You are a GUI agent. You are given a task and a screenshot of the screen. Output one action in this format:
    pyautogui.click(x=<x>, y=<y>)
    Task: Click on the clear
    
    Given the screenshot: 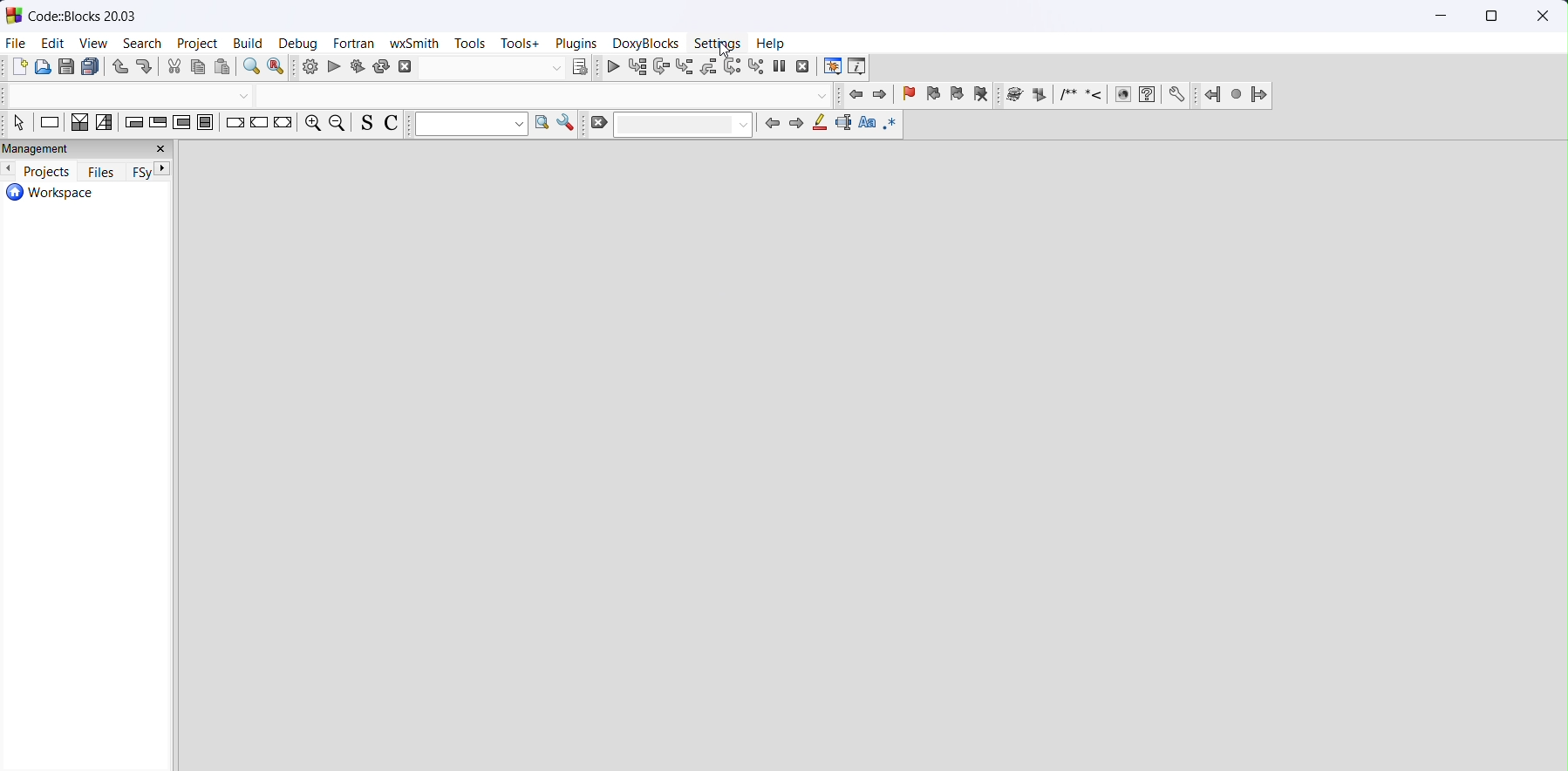 What is the action you would take?
    pyautogui.click(x=673, y=125)
    